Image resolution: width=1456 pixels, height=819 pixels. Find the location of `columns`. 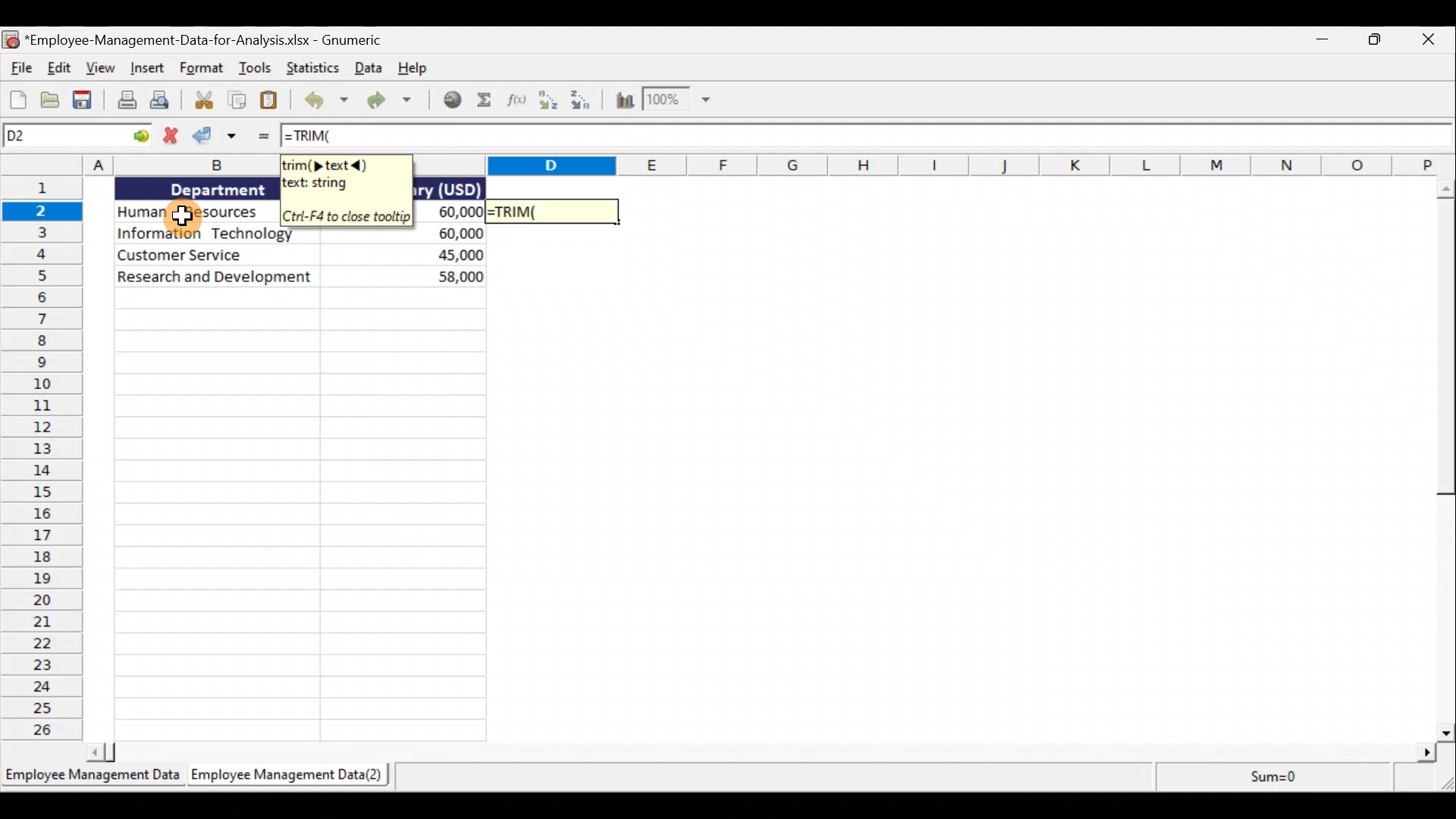

columns is located at coordinates (138, 165).